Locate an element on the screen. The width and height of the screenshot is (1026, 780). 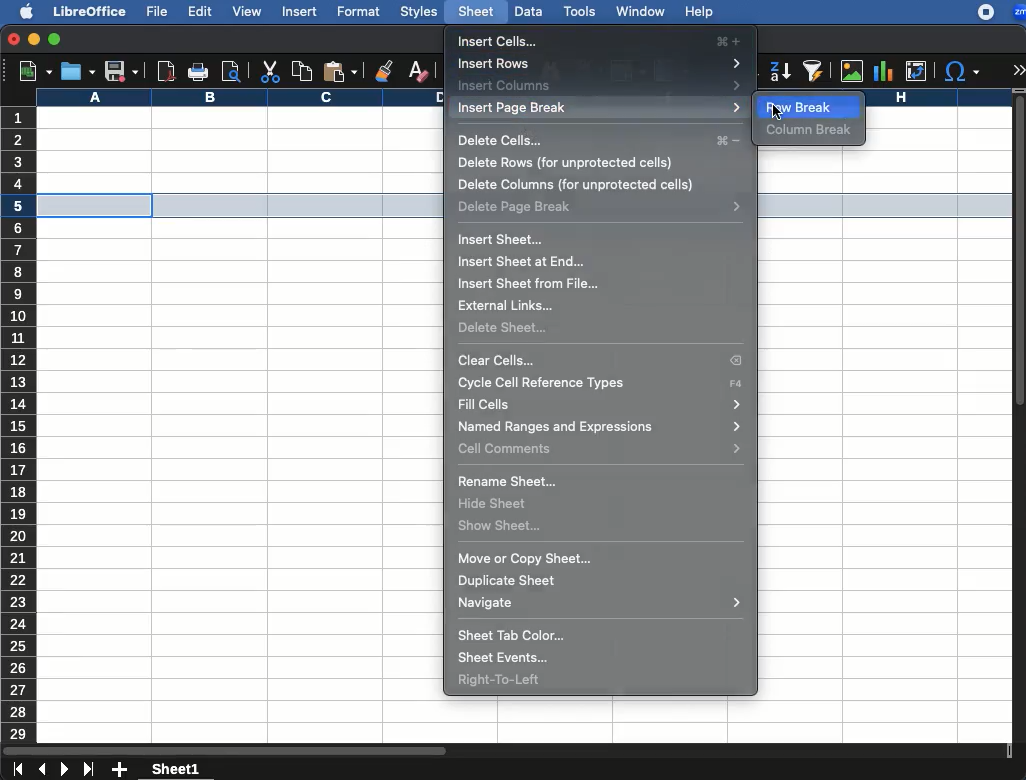
sheet is located at coordinates (474, 11).